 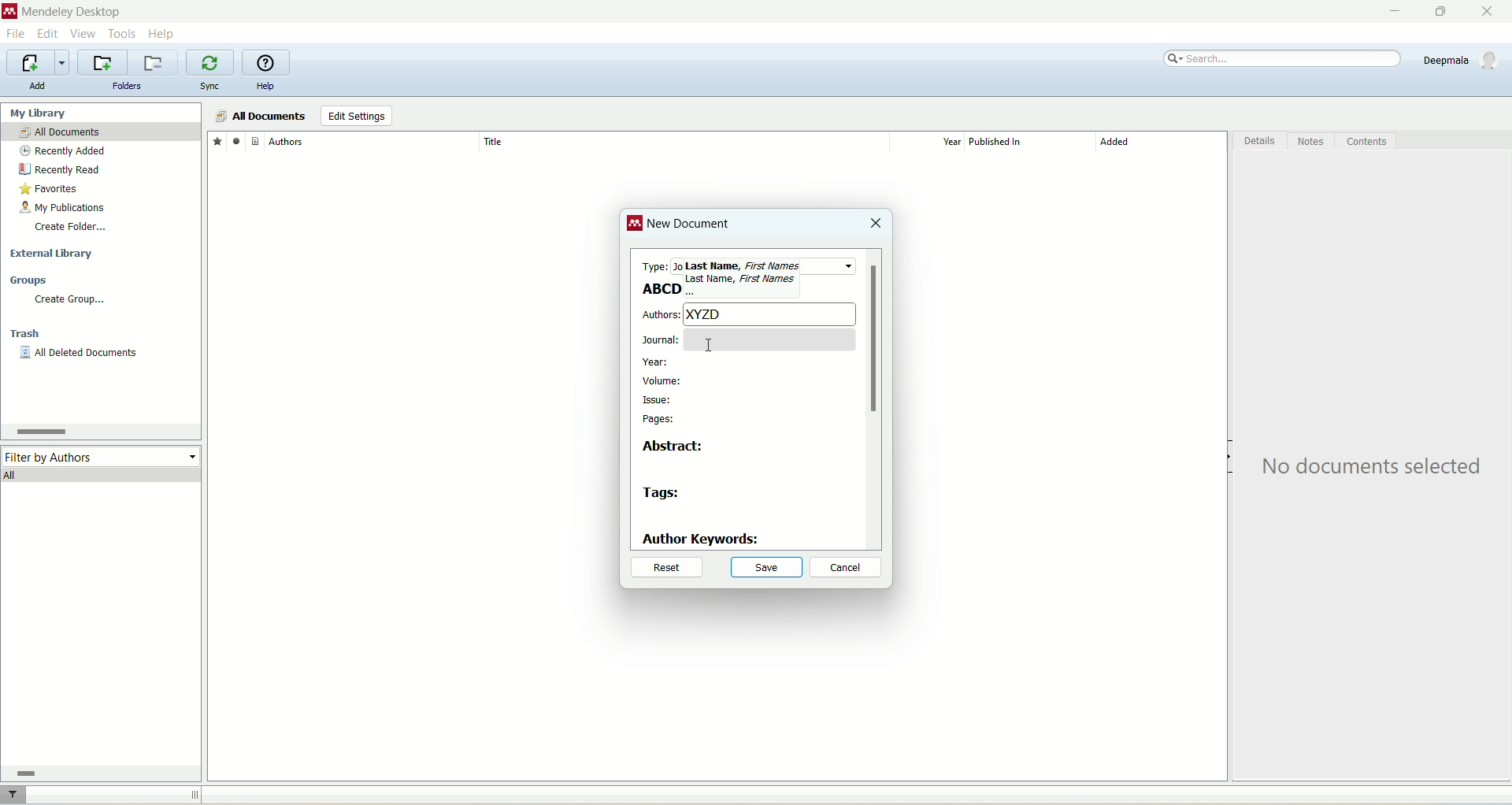 I want to click on edit settings, so click(x=356, y=117).